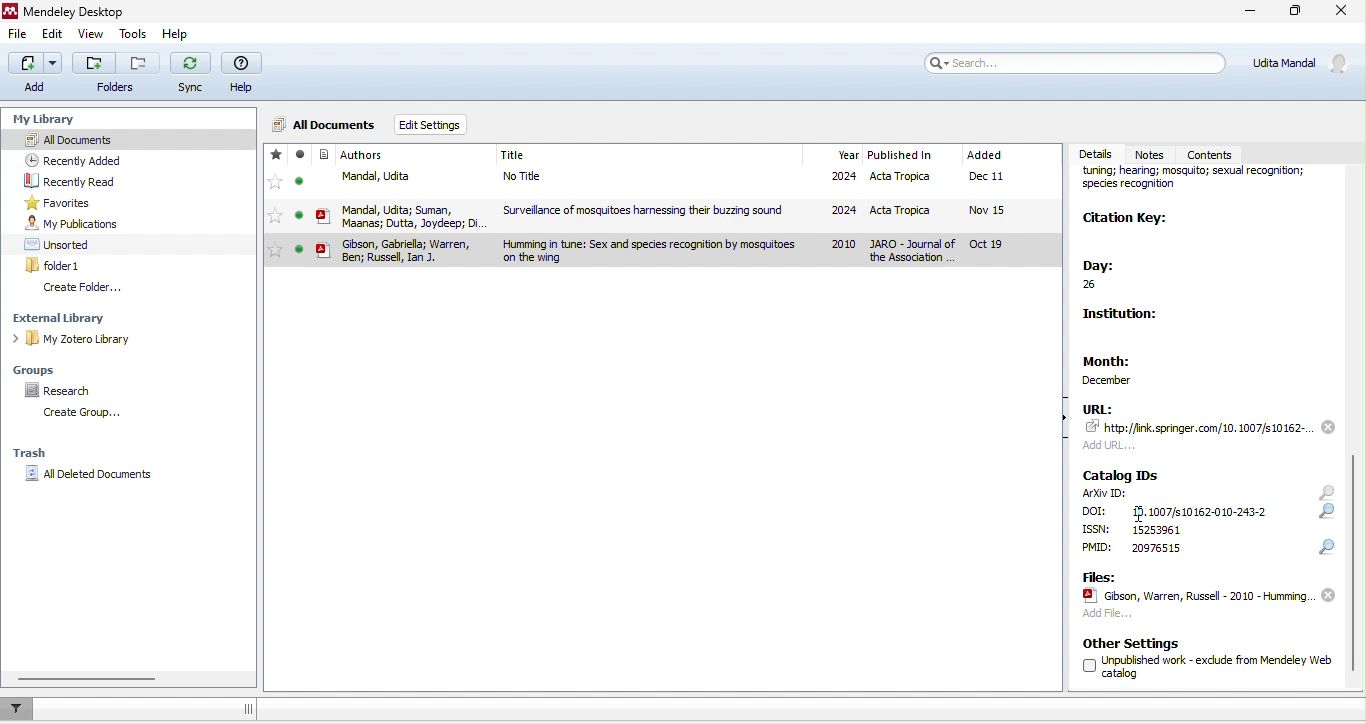 Image resolution: width=1366 pixels, height=724 pixels. I want to click on unsorted, so click(60, 244).